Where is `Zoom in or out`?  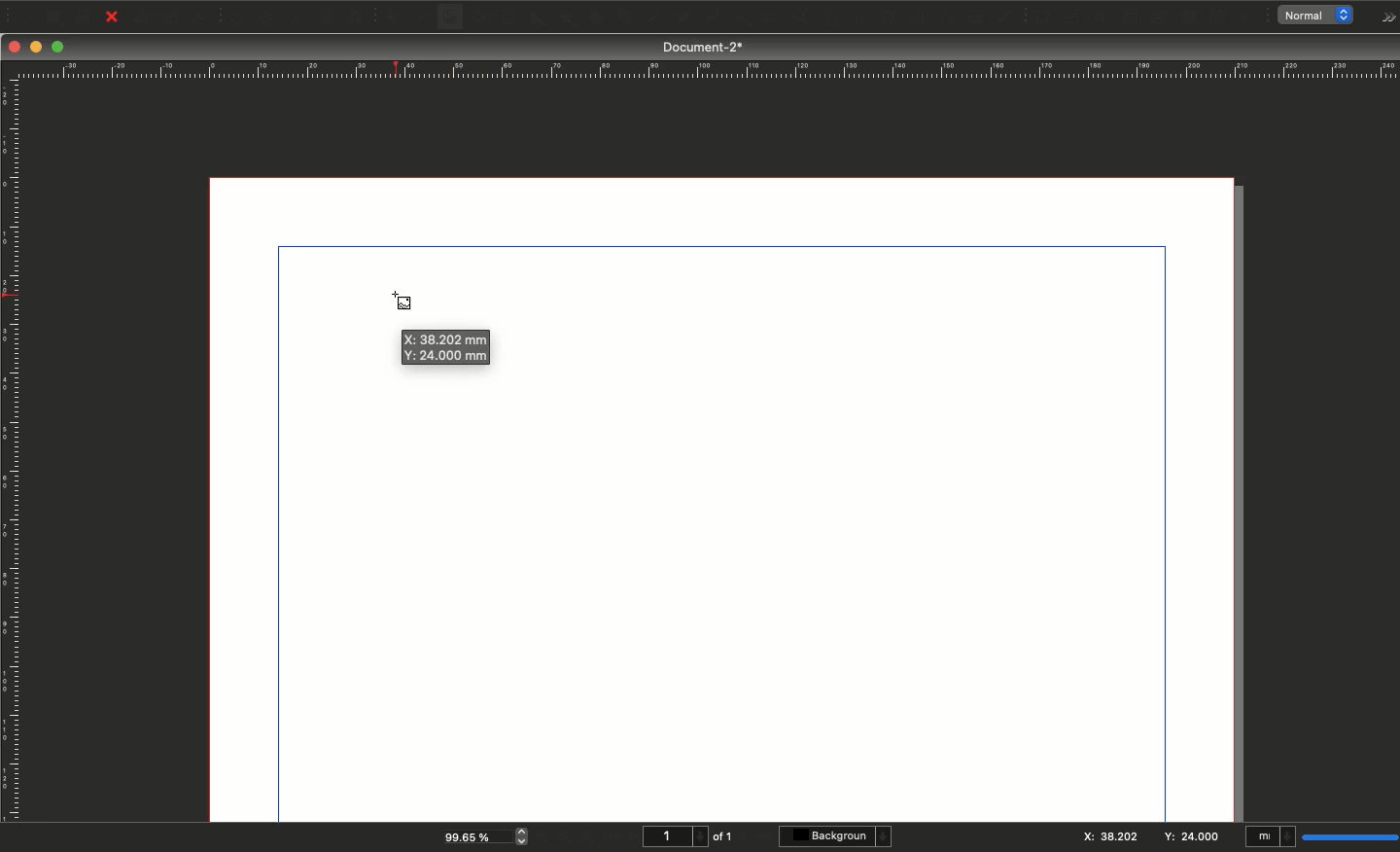 Zoom in or out is located at coordinates (773, 19).